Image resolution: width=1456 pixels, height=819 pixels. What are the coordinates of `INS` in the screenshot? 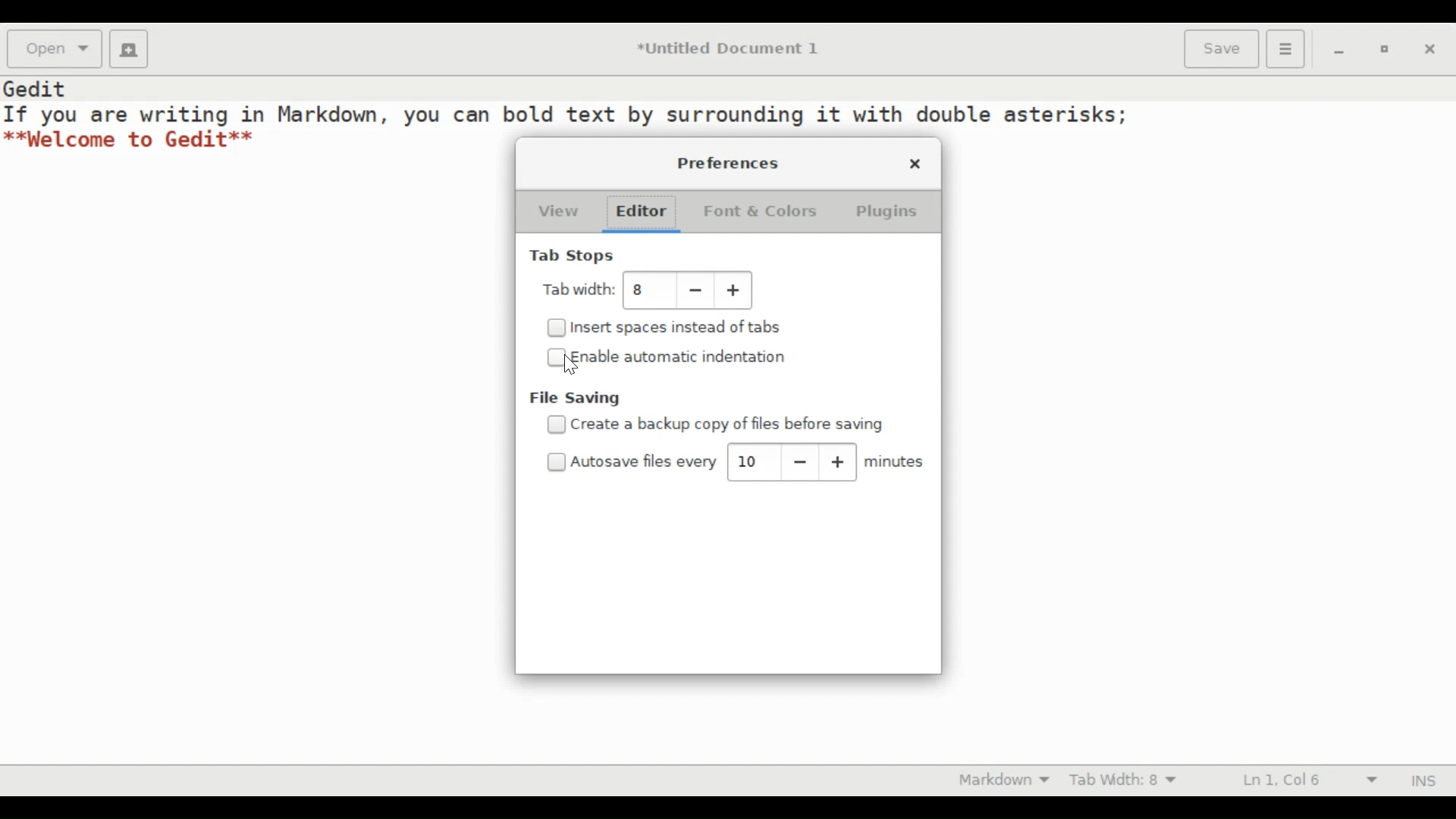 It's located at (1426, 780).